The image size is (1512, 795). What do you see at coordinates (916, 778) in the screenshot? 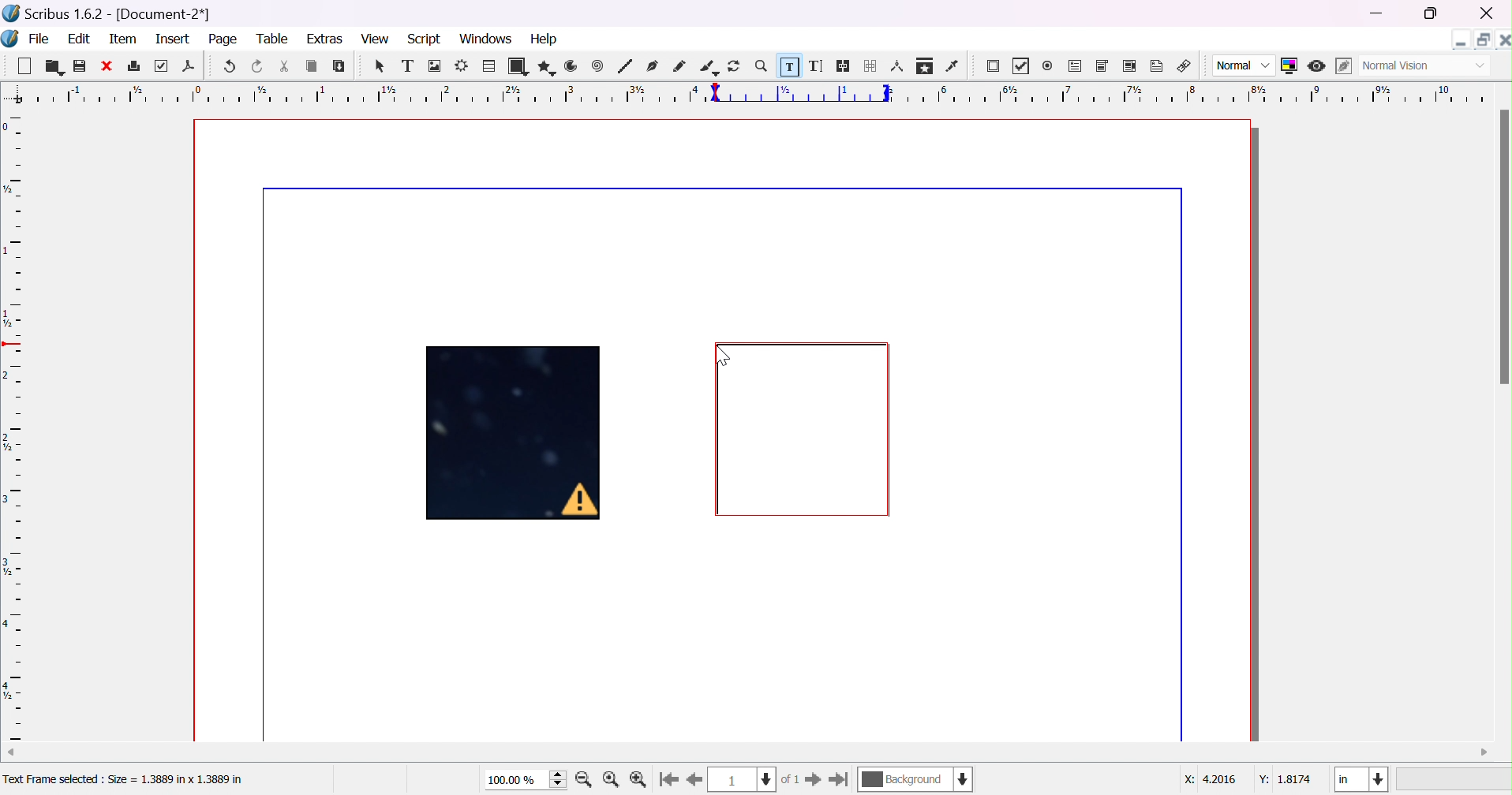
I see `current layer` at bounding box center [916, 778].